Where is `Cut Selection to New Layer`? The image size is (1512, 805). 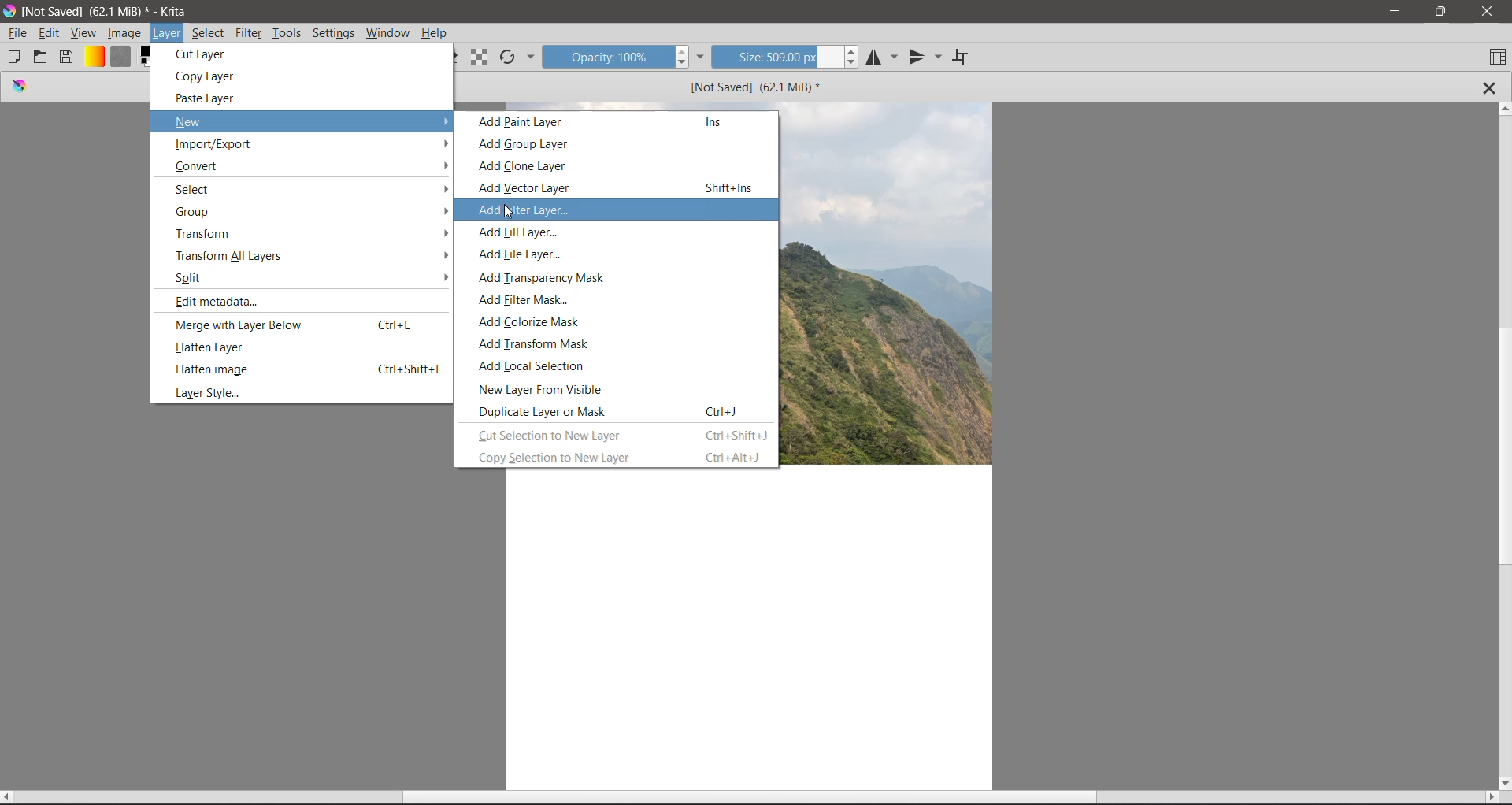
Cut Selection to New Layer is located at coordinates (623, 434).